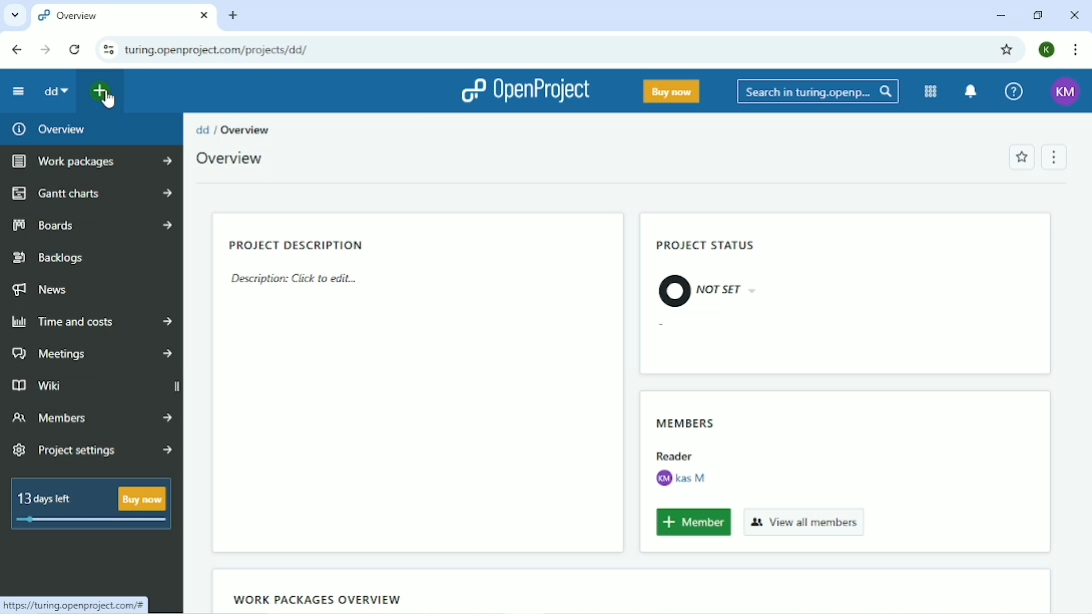 The image size is (1092, 614). Describe the element at coordinates (230, 158) in the screenshot. I see `Overview` at that location.